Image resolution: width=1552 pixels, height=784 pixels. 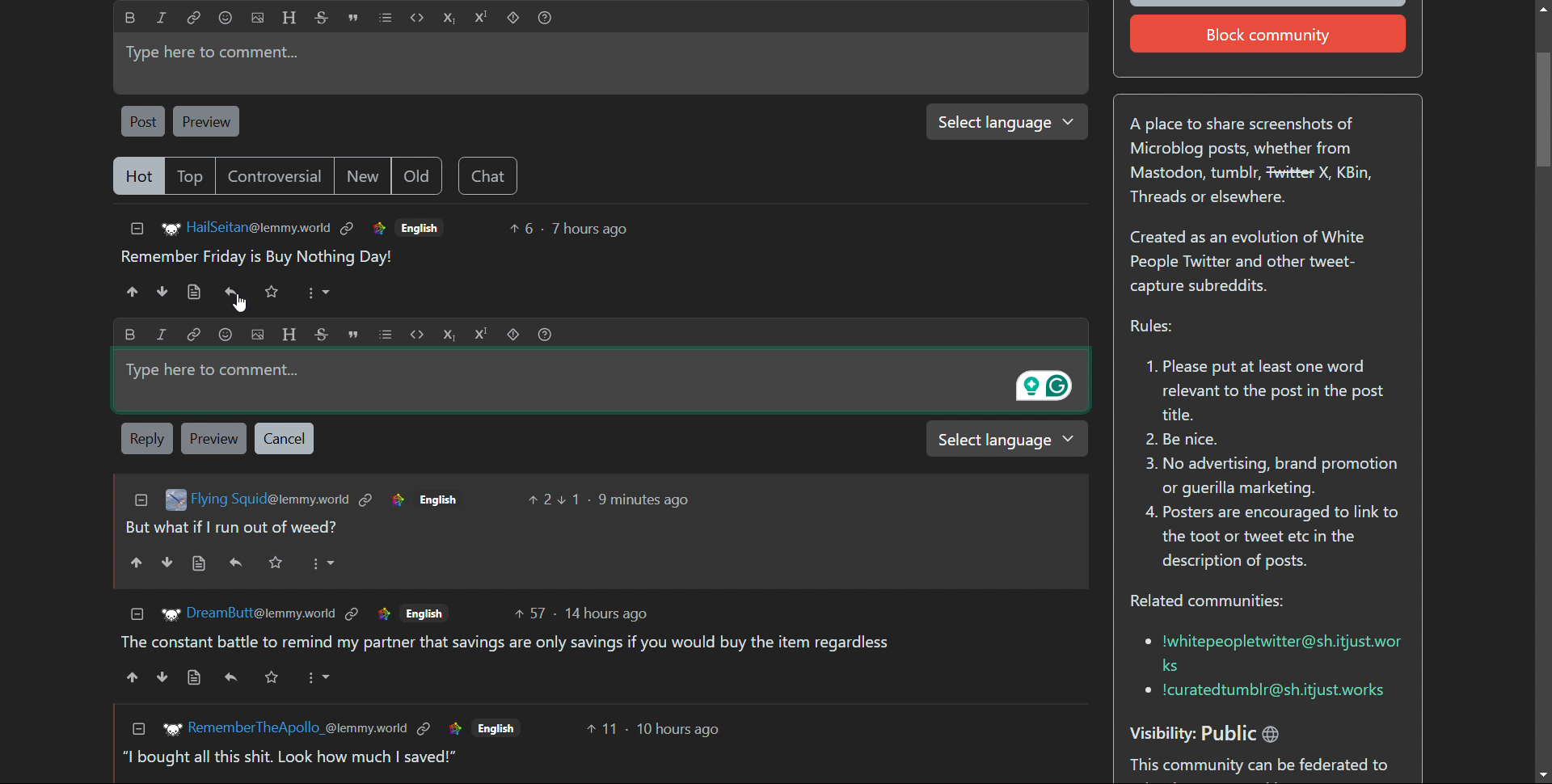 What do you see at coordinates (603, 644) in the screenshot?
I see `comment` at bounding box center [603, 644].